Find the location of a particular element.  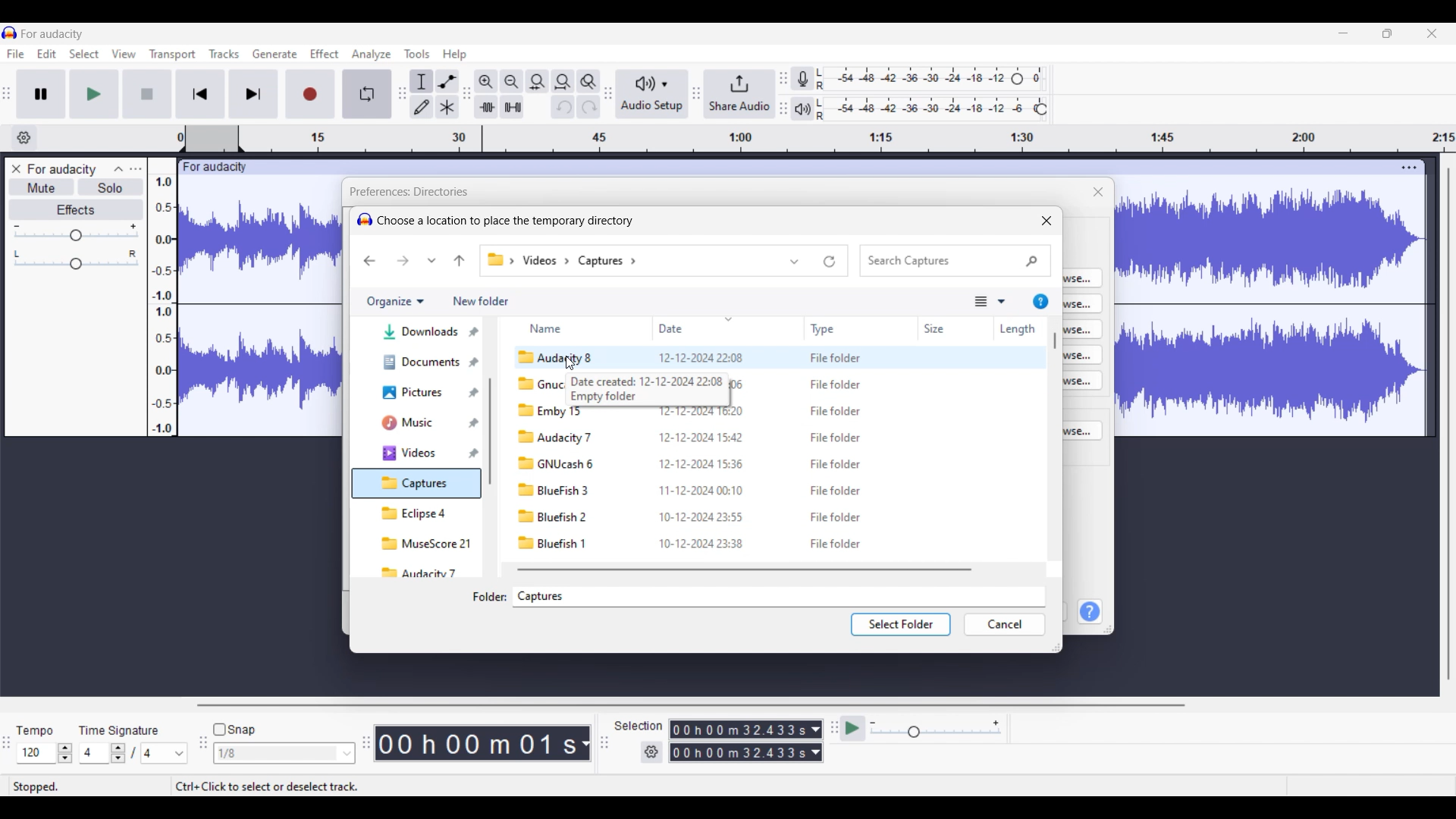

Draw tool is located at coordinates (422, 106).